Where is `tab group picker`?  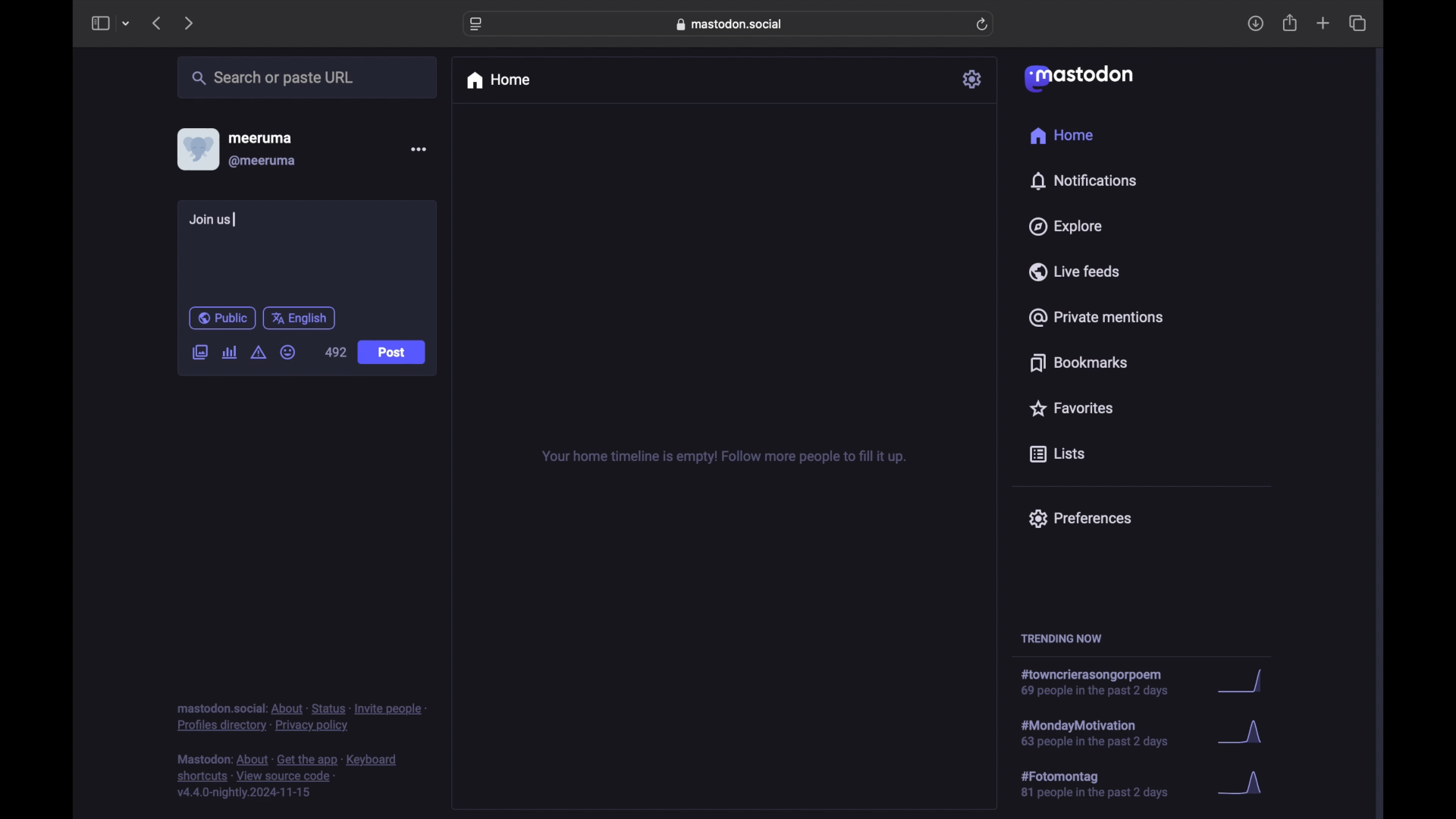 tab group picker is located at coordinates (126, 24).